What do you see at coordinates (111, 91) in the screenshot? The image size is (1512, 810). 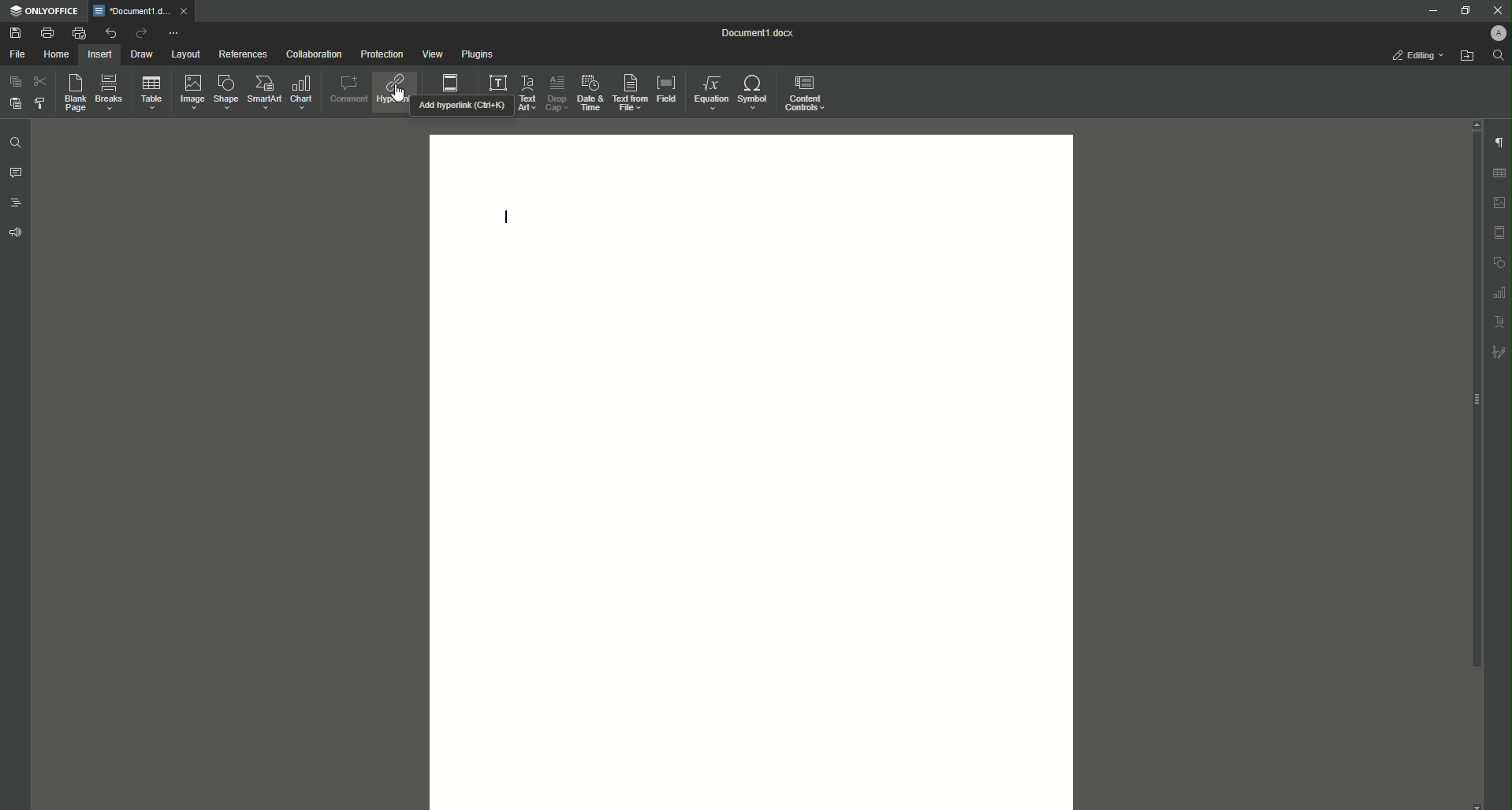 I see `Breaks` at bounding box center [111, 91].